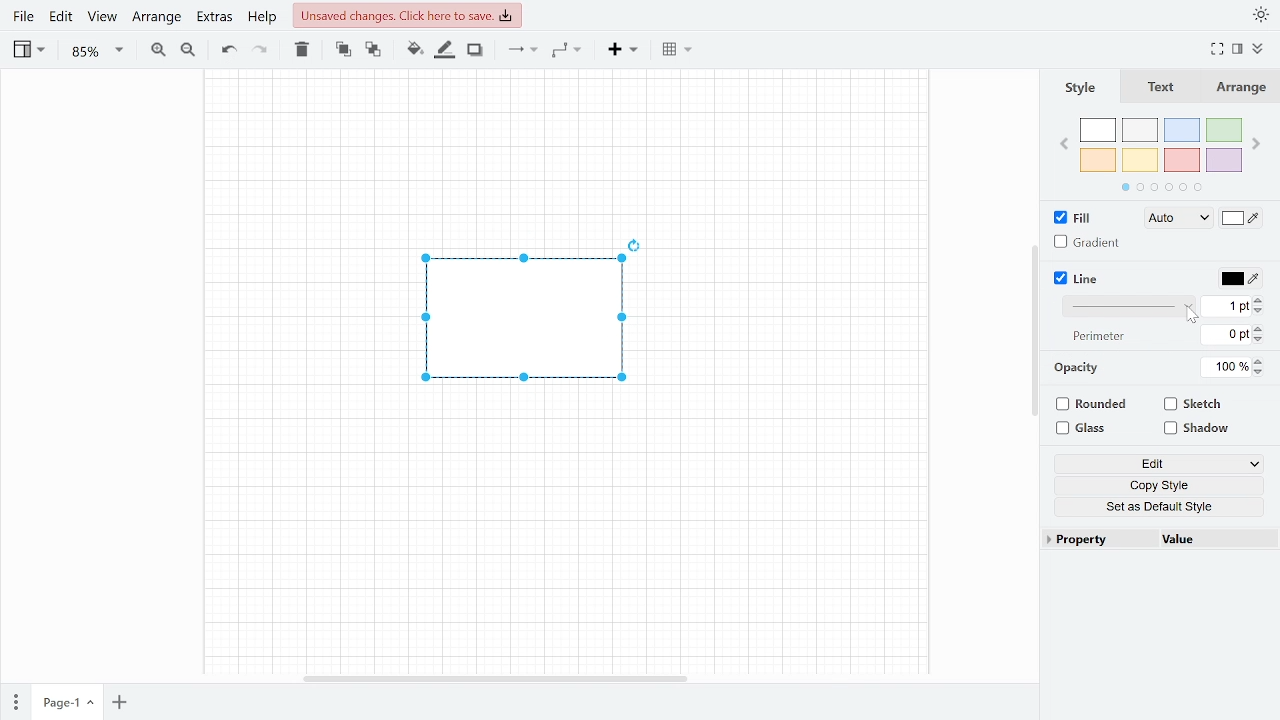  What do you see at coordinates (1260, 311) in the screenshot?
I see `Decrease linewidth` at bounding box center [1260, 311].